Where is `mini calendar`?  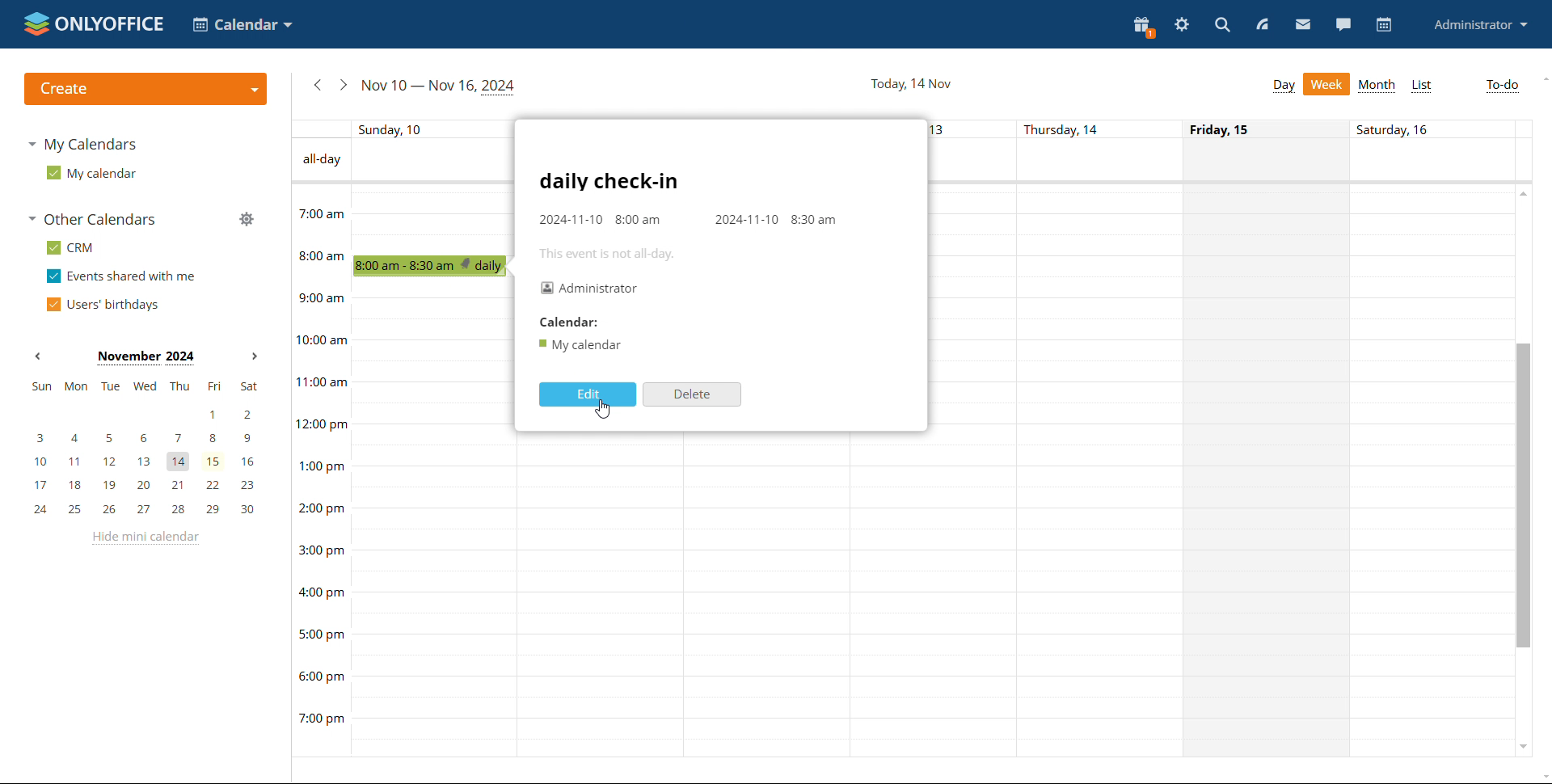 mini calendar is located at coordinates (144, 449).